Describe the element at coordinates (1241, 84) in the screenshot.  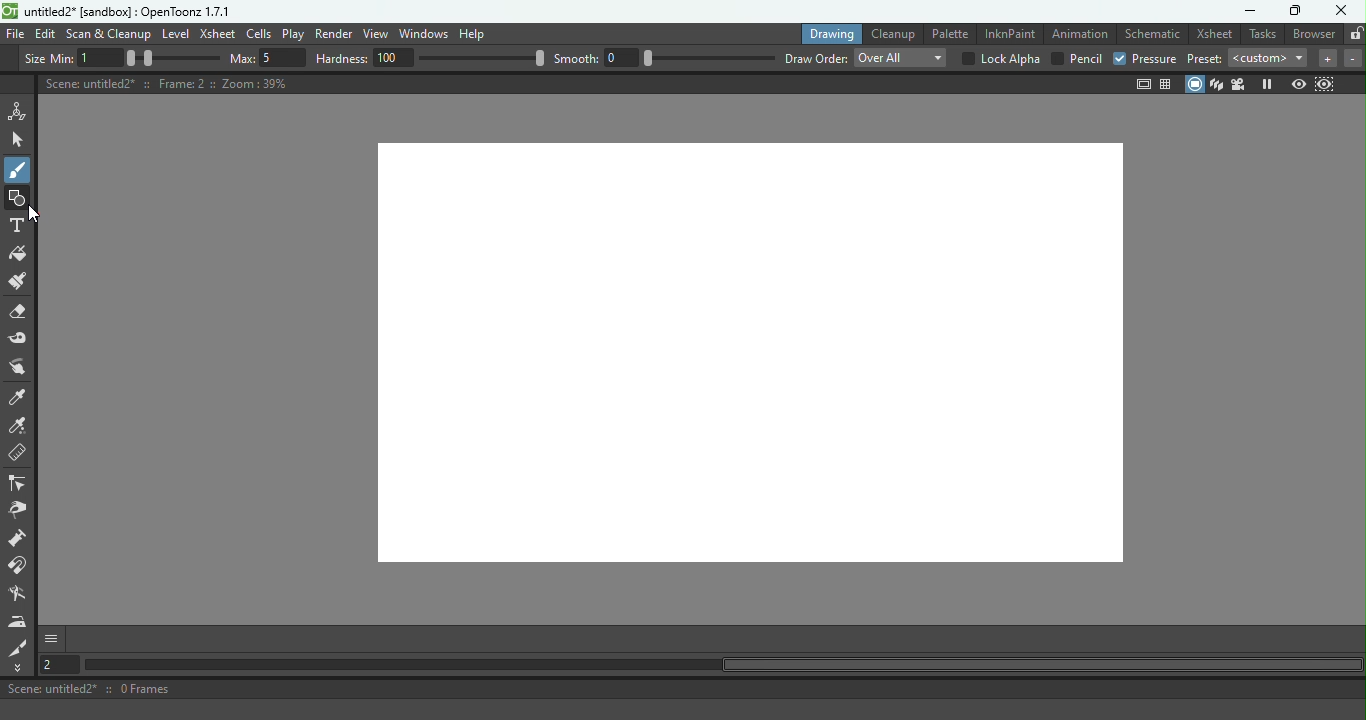
I see `Camera view` at that location.